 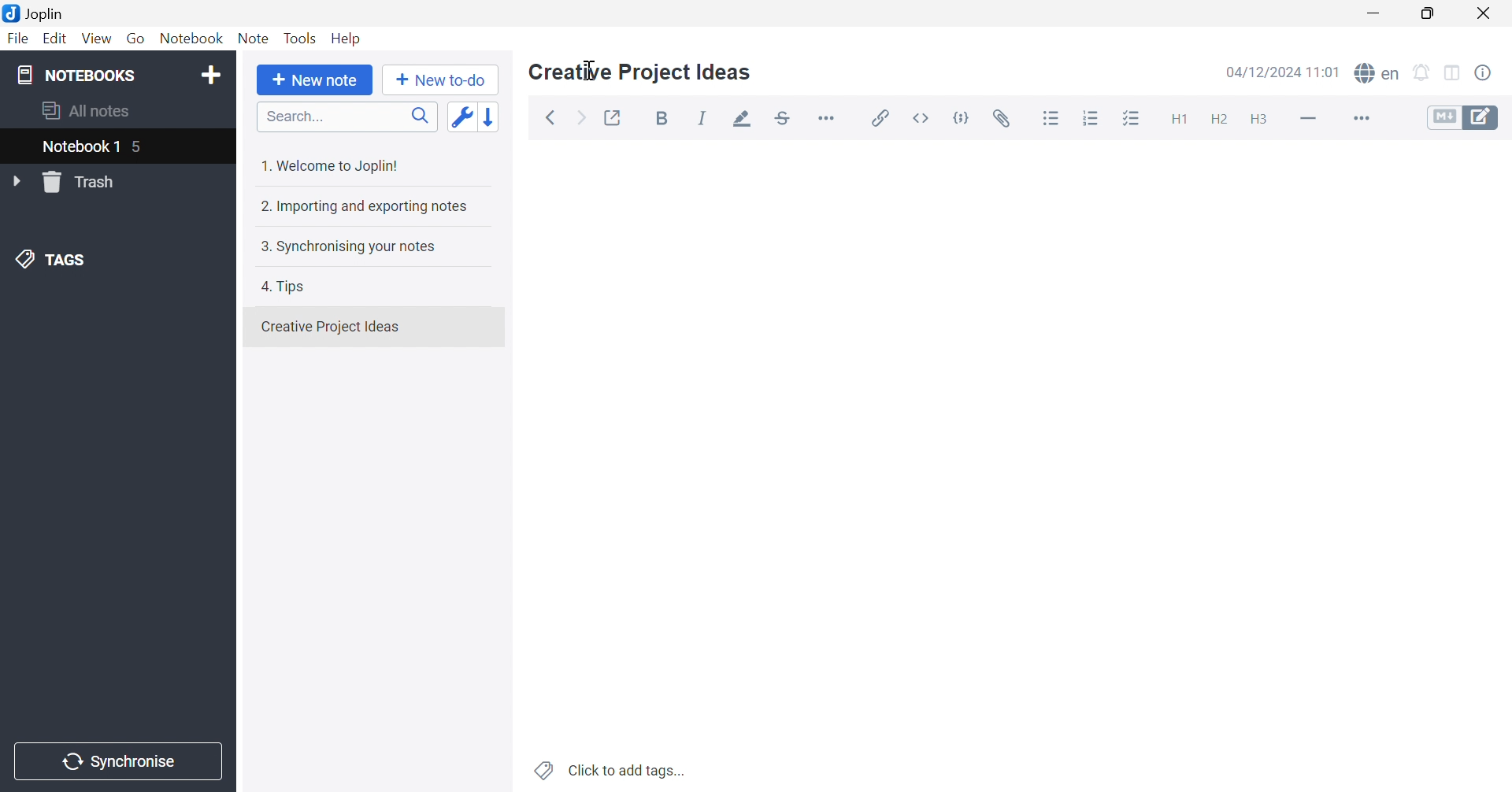 What do you see at coordinates (554, 117) in the screenshot?
I see `Back` at bounding box center [554, 117].